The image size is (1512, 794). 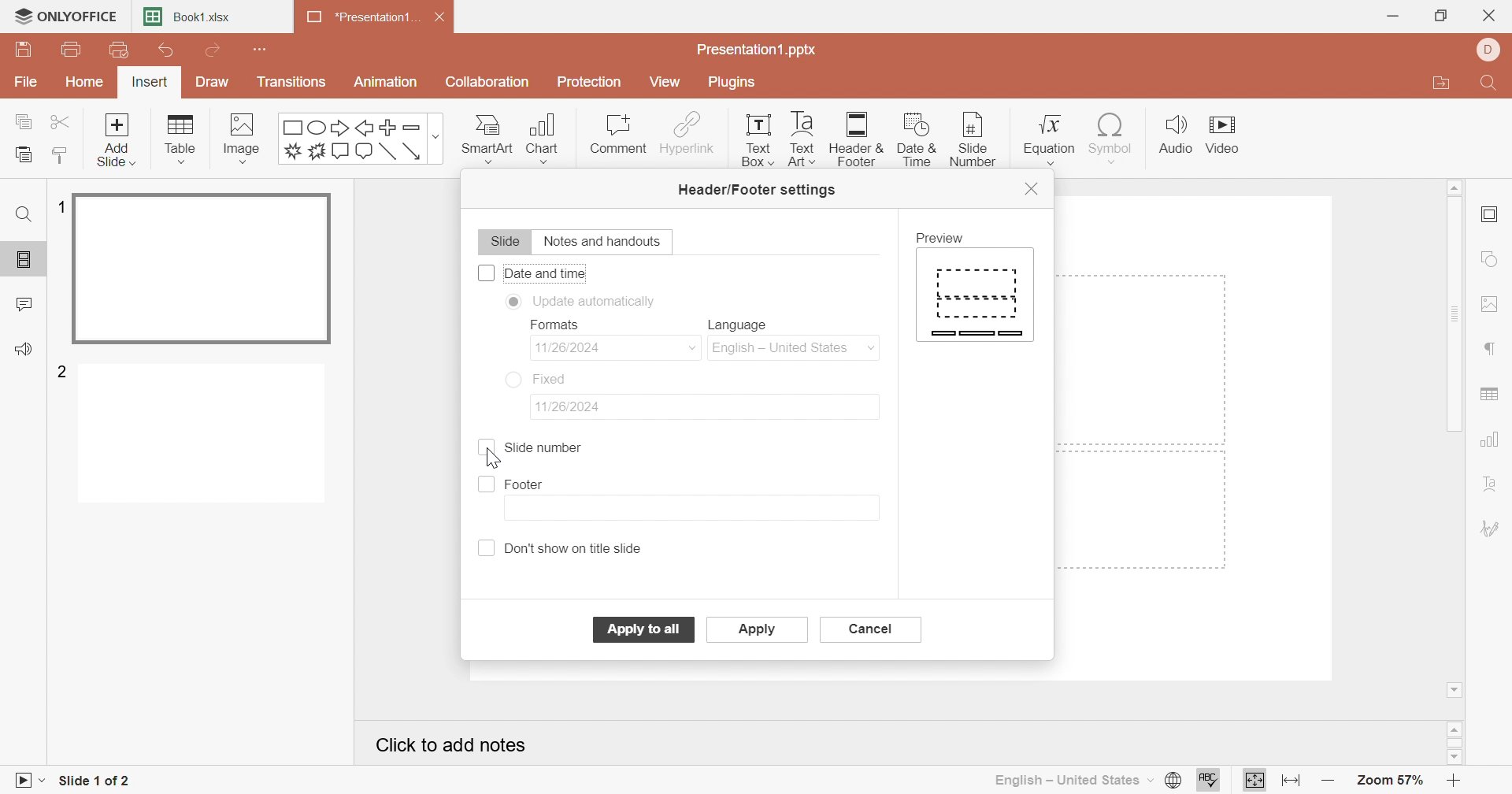 I want to click on View, so click(x=664, y=81).